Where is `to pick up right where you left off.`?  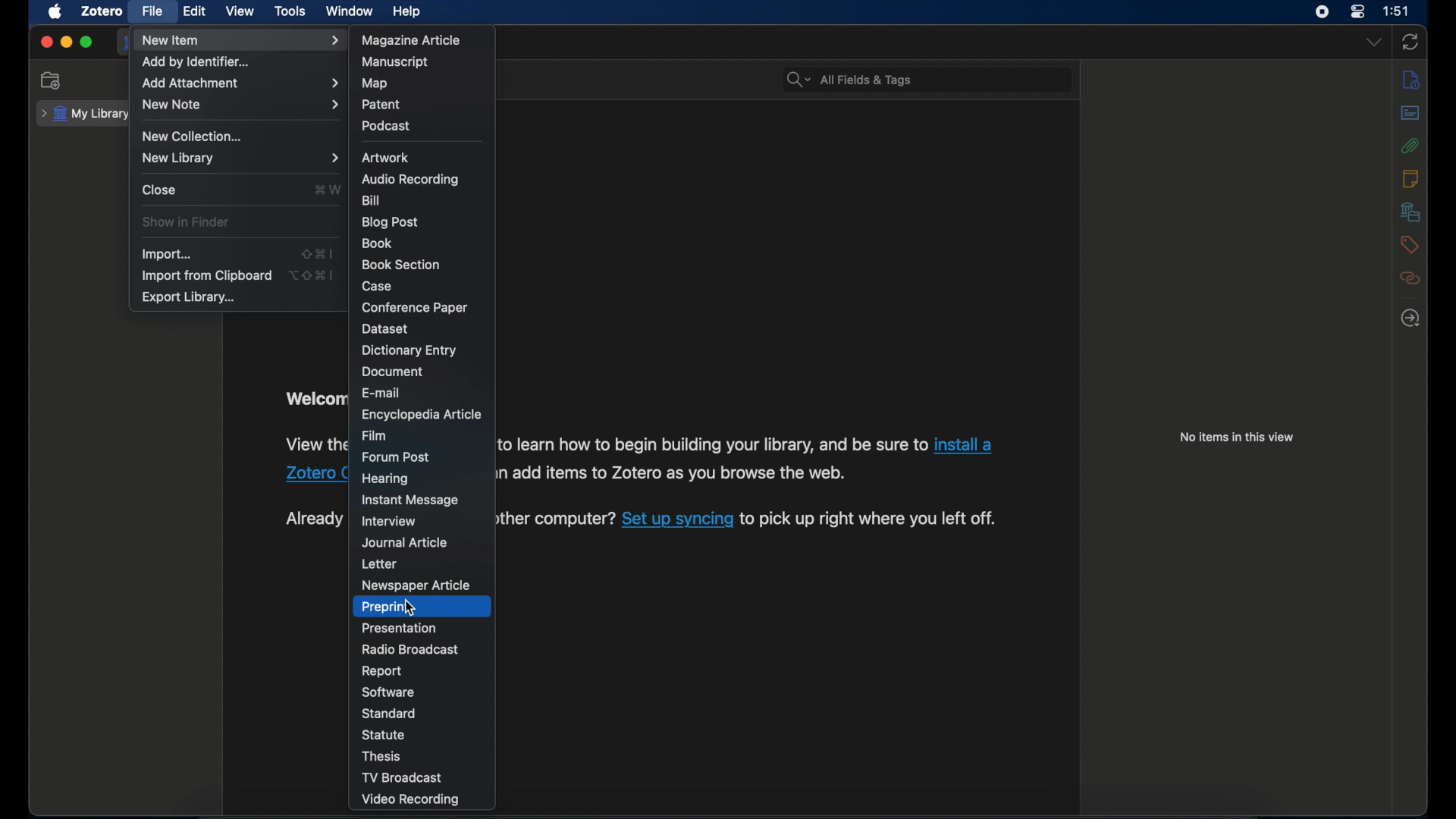 to pick up right where you left off. is located at coordinates (871, 519).